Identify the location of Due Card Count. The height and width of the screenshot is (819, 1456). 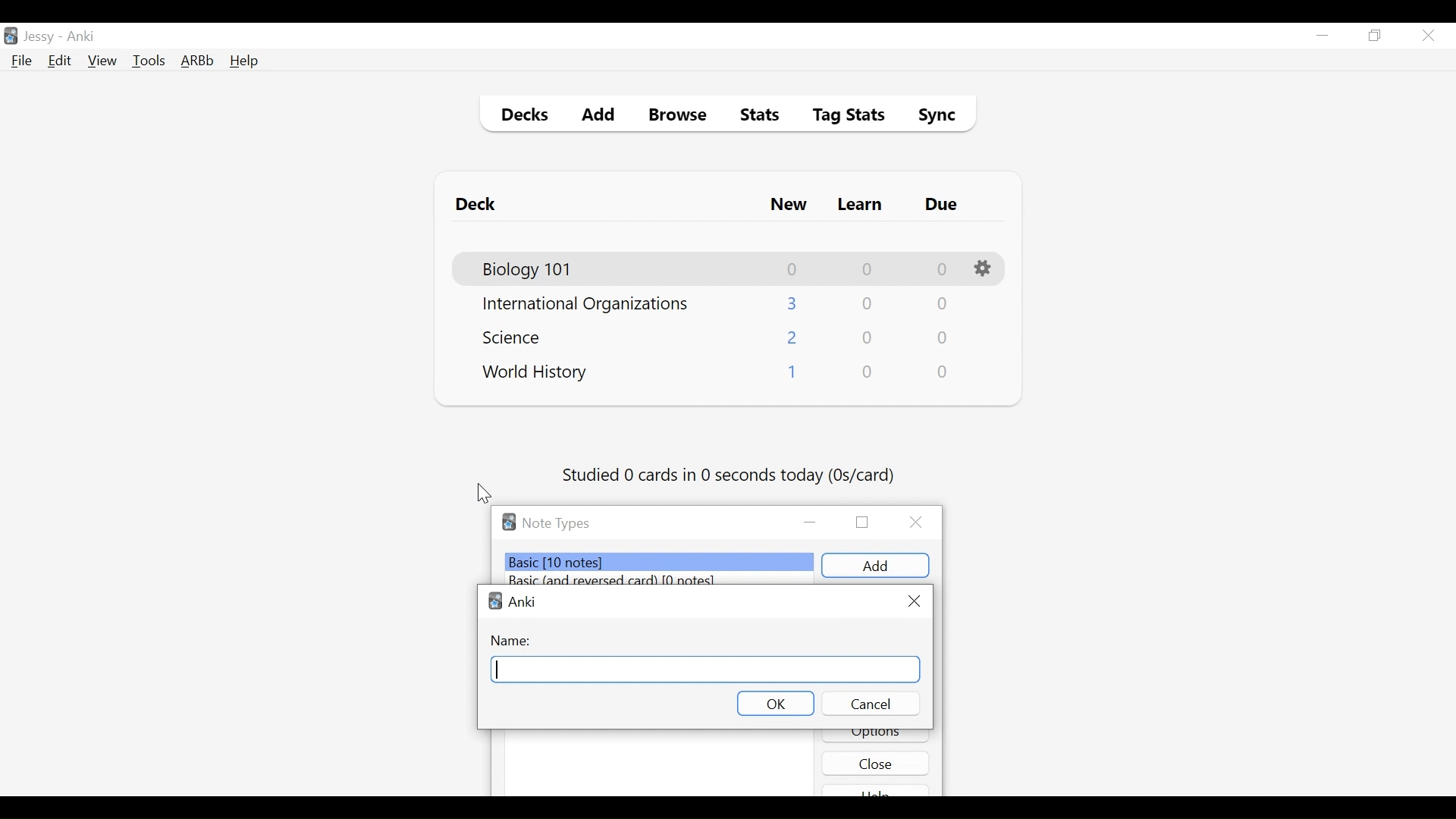
(944, 372).